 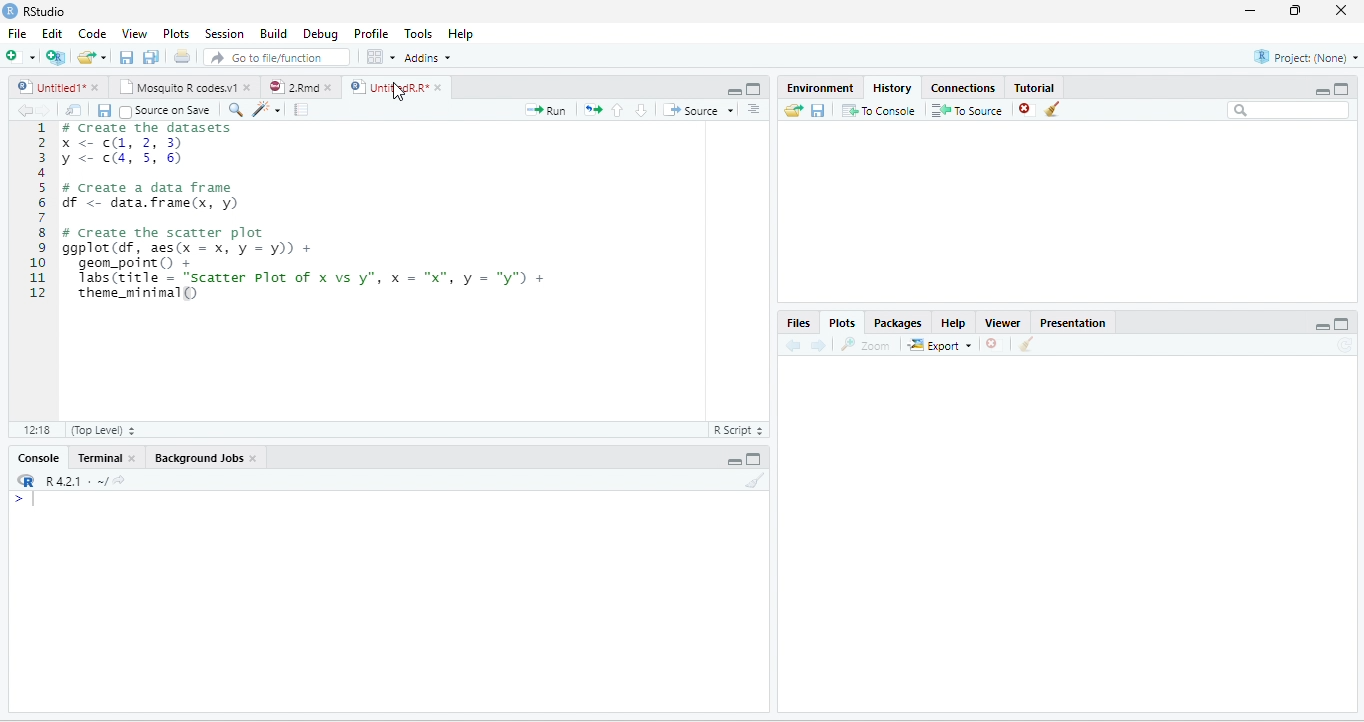 What do you see at coordinates (697, 110) in the screenshot?
I see `Source` at bounding box center [697, 110].